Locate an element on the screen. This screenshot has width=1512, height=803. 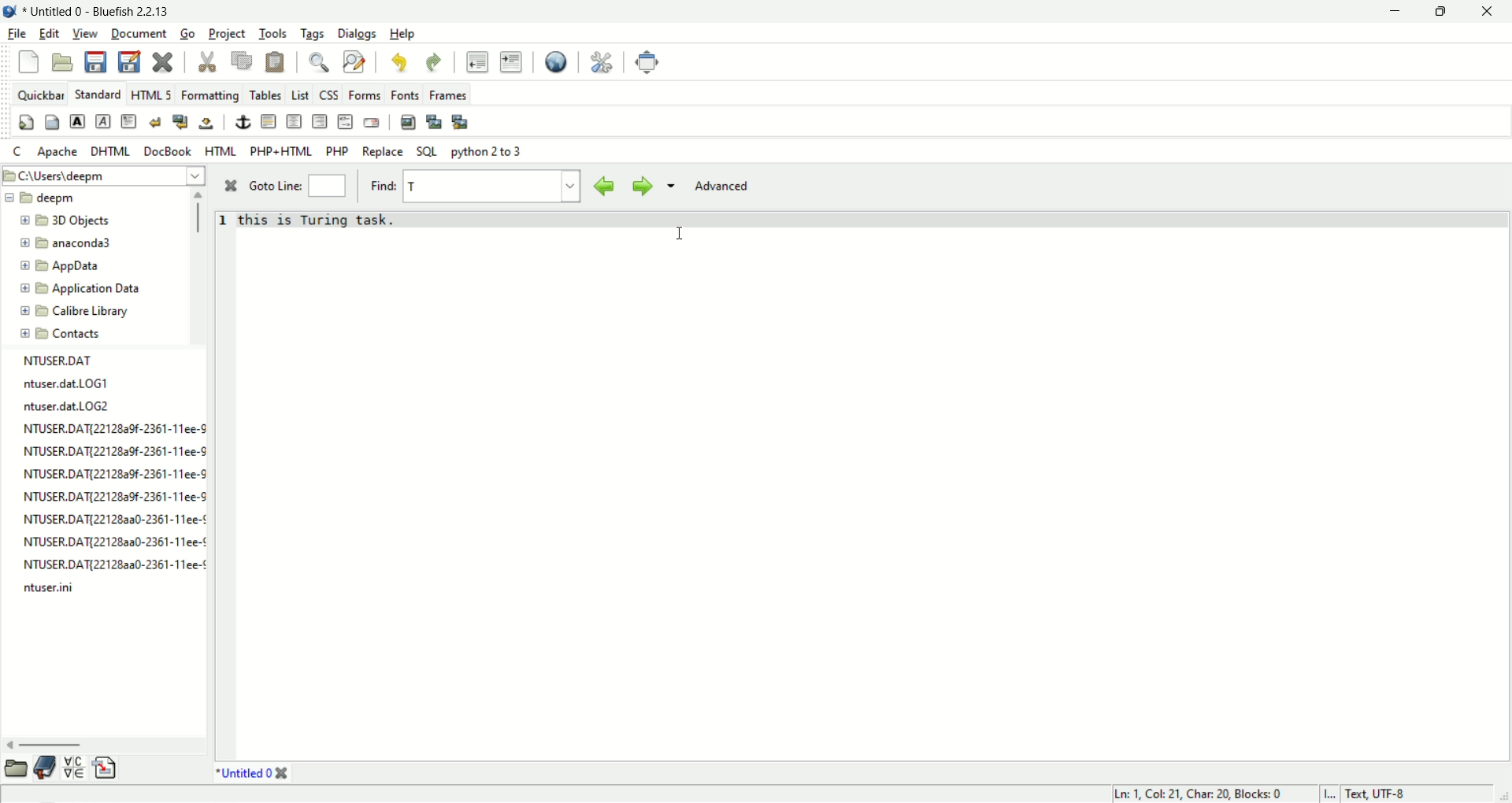
html comment is located at coordinates (346, 121).